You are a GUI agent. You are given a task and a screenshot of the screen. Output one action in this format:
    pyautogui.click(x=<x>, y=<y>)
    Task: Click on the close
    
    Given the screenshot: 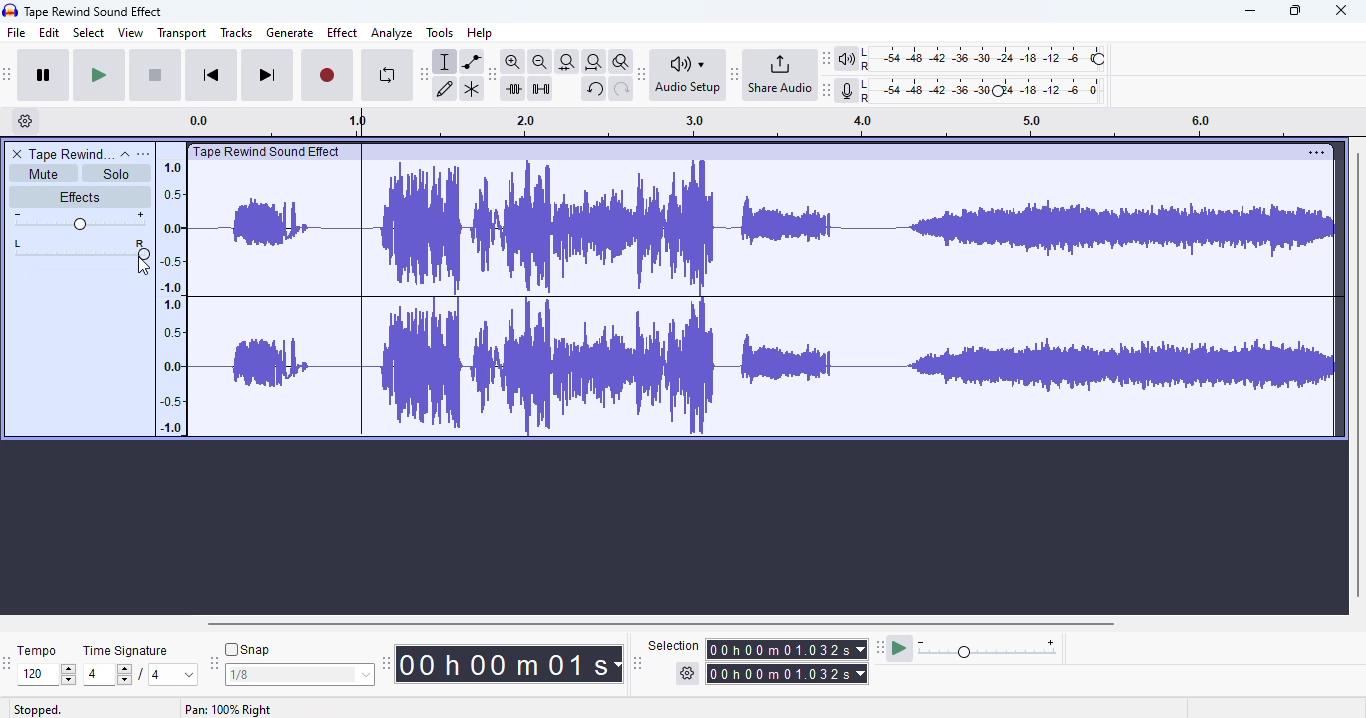 What is the action you would take?
    pyautogui.click(x=1340, y=10)
    